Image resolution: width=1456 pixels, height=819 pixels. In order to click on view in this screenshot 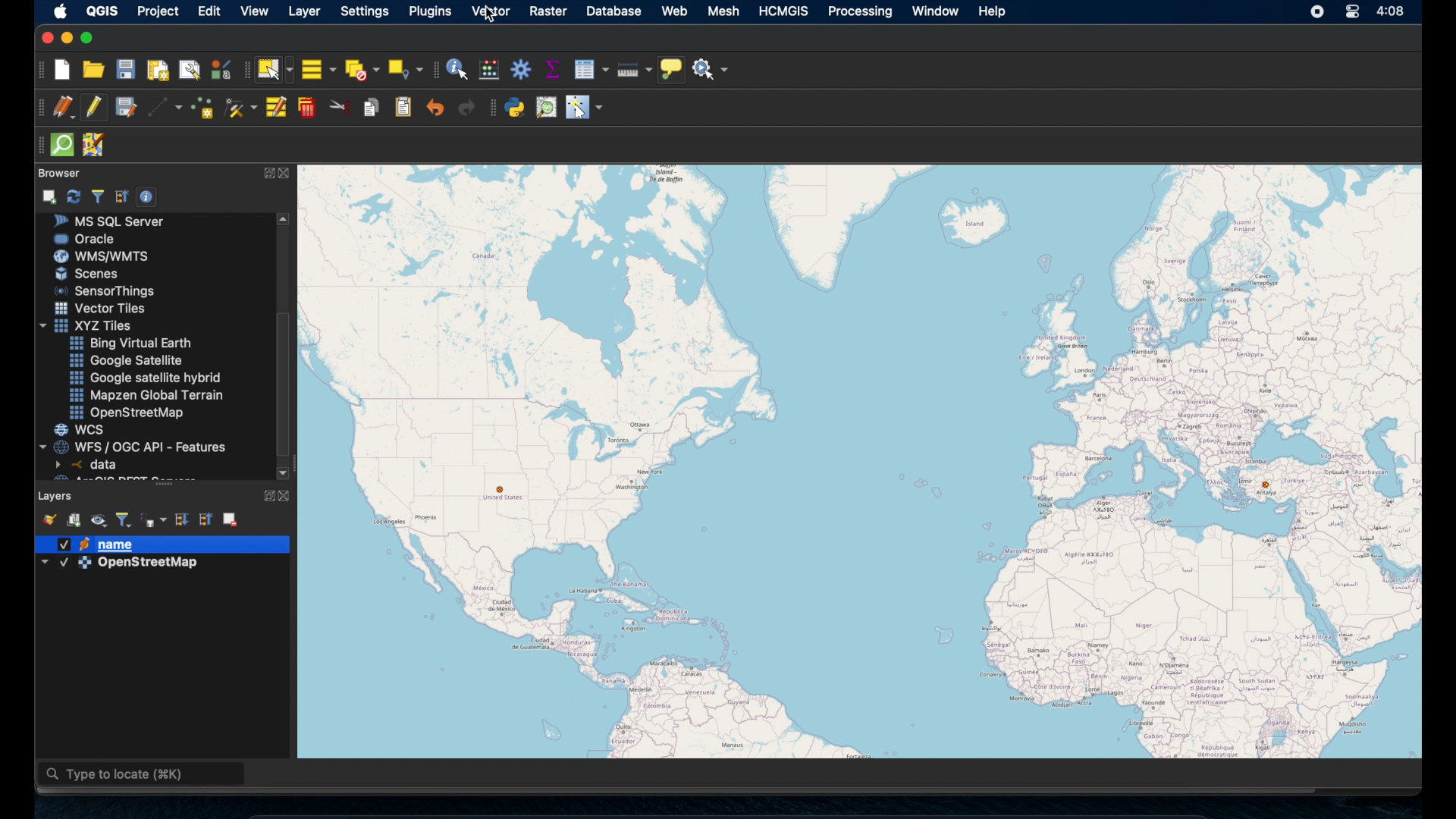, I will do `click(254, 12)`.